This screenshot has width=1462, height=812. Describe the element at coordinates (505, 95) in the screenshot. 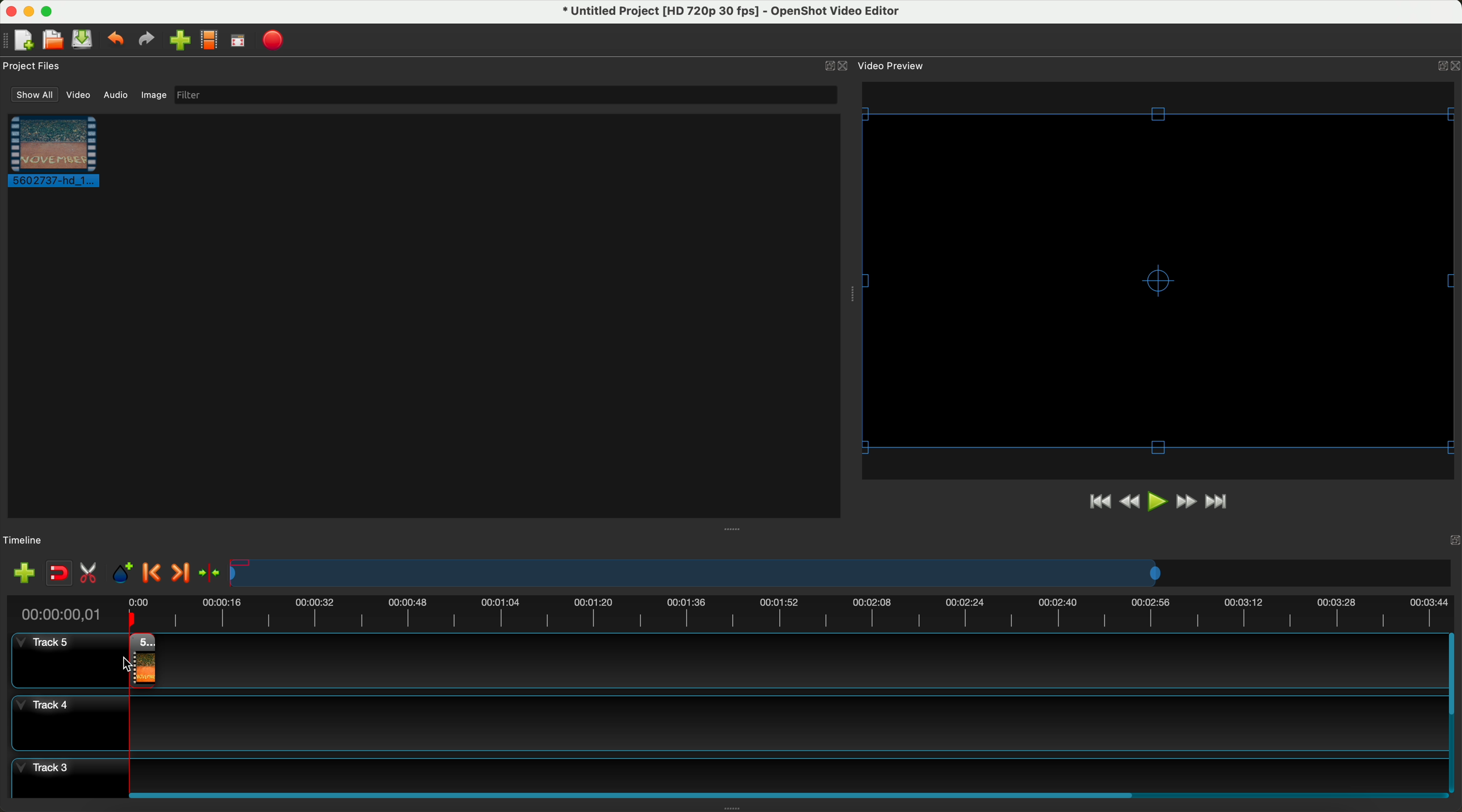

I see `filter` at that location.